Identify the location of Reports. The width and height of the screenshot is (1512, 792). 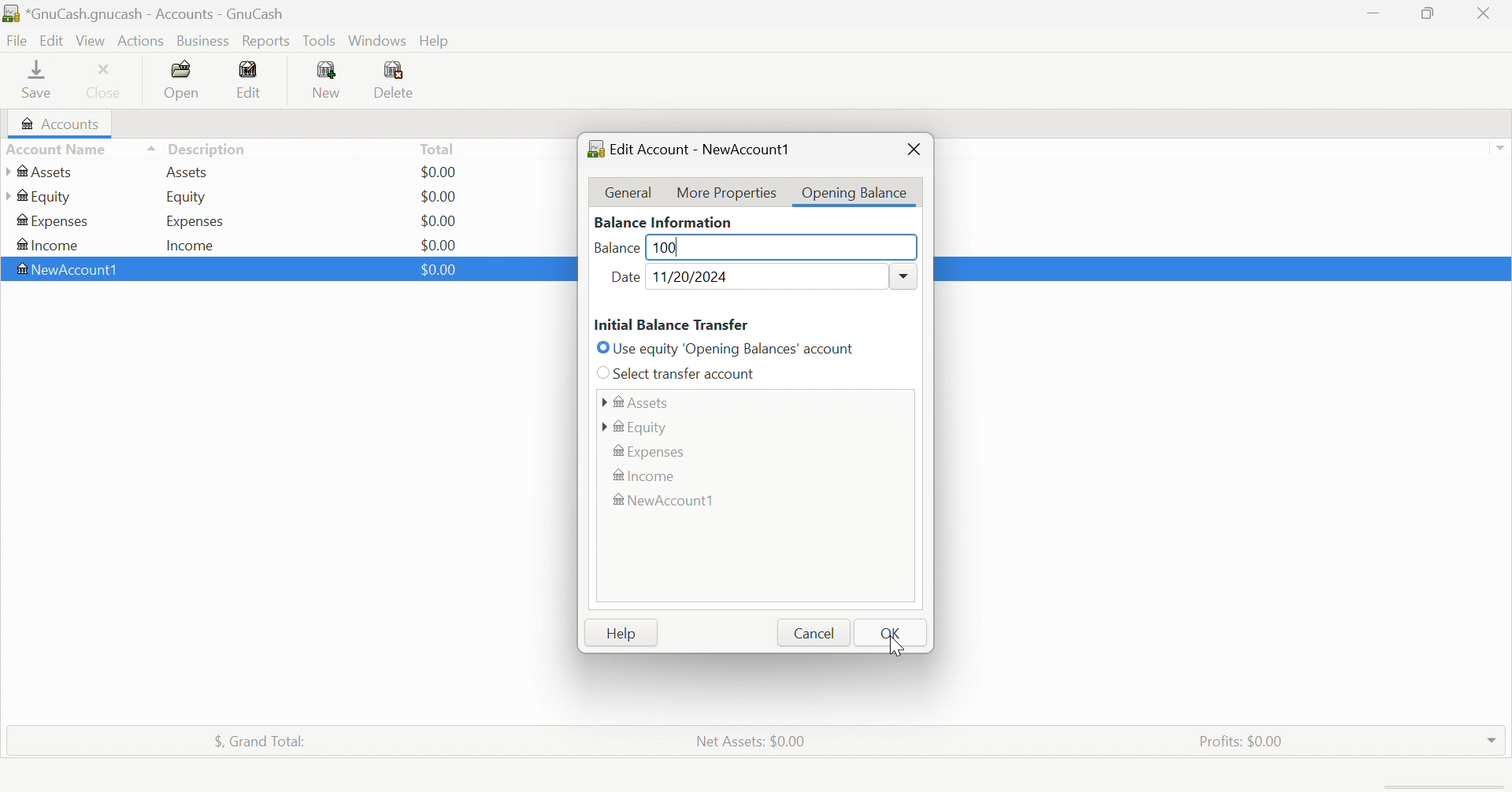
(267, 41).